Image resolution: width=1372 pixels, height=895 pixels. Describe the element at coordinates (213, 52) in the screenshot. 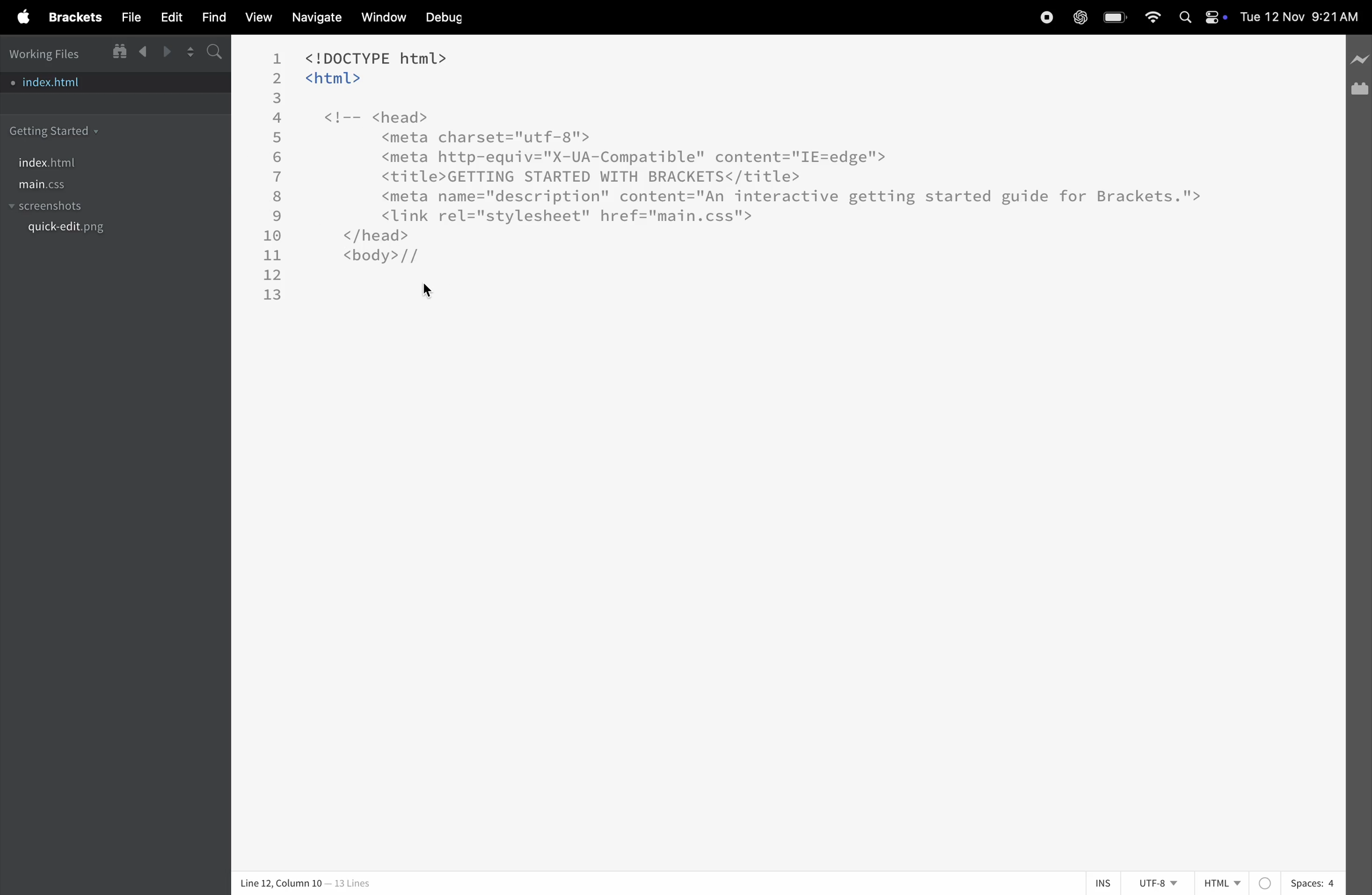

I see `s` at that location.